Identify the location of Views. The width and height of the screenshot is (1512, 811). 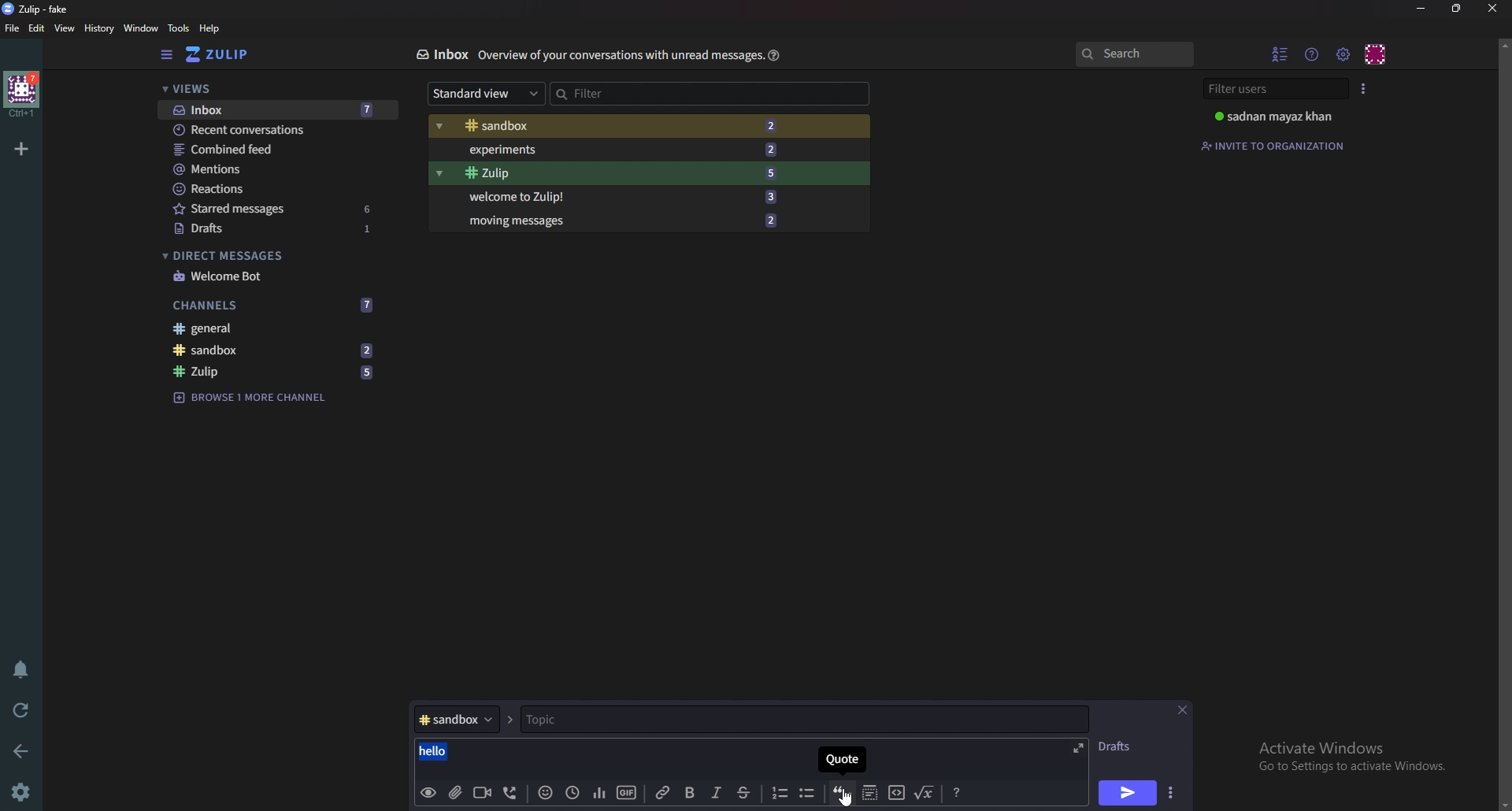
(267, 89).